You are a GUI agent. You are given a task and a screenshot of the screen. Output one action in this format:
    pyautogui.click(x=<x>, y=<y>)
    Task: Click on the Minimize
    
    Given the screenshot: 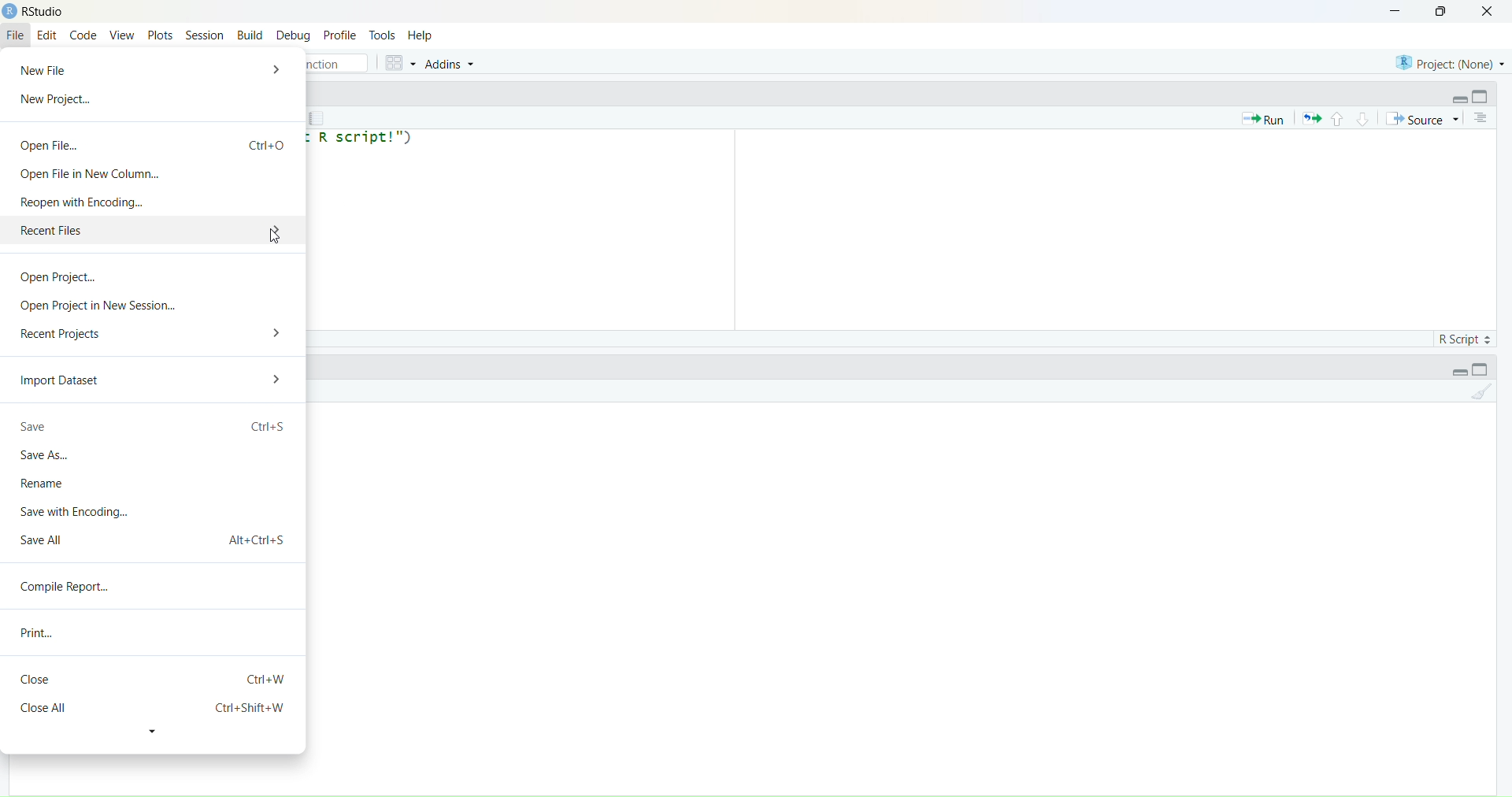 What is the action you would take?
    pyautogui.click(x=1454, y=97)
    